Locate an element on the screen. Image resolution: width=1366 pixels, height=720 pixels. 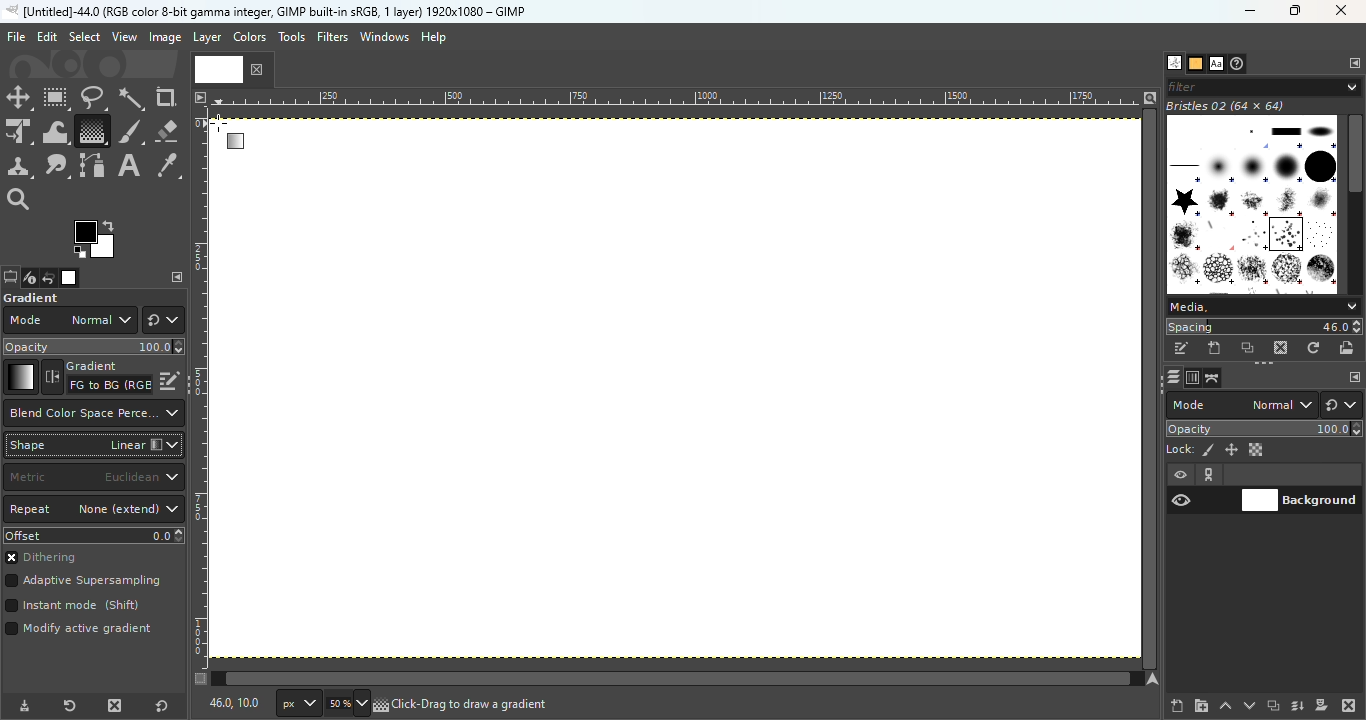
View/Hide is located at coordinates (1202, 488).